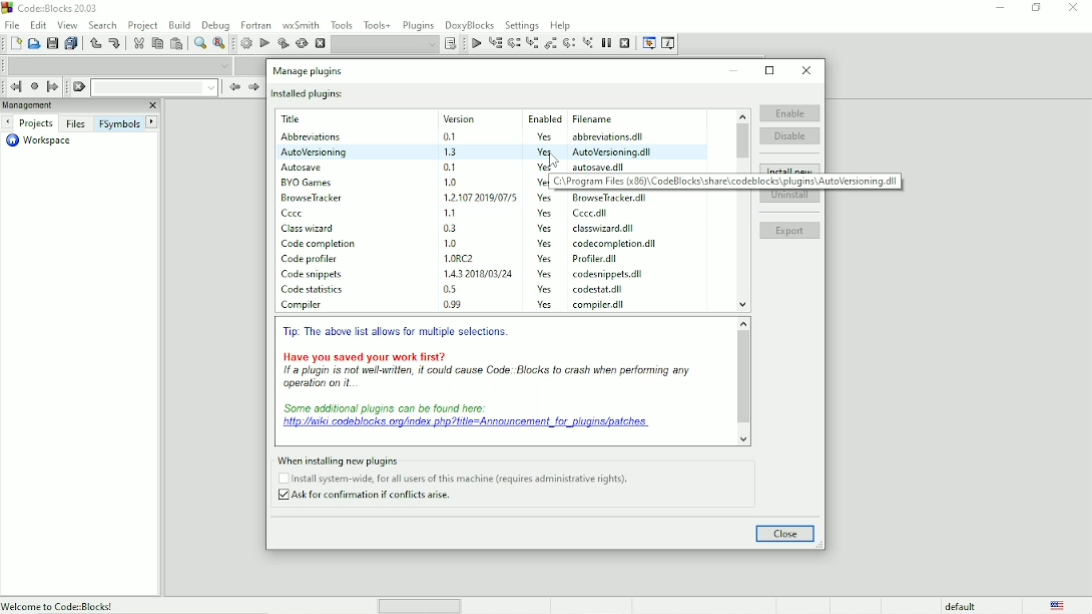 This screenshot has height=614, width=1092. What do you see at coordinates (10, 24) in the screenshot?
I see `File` at bounding box center [10, 24].